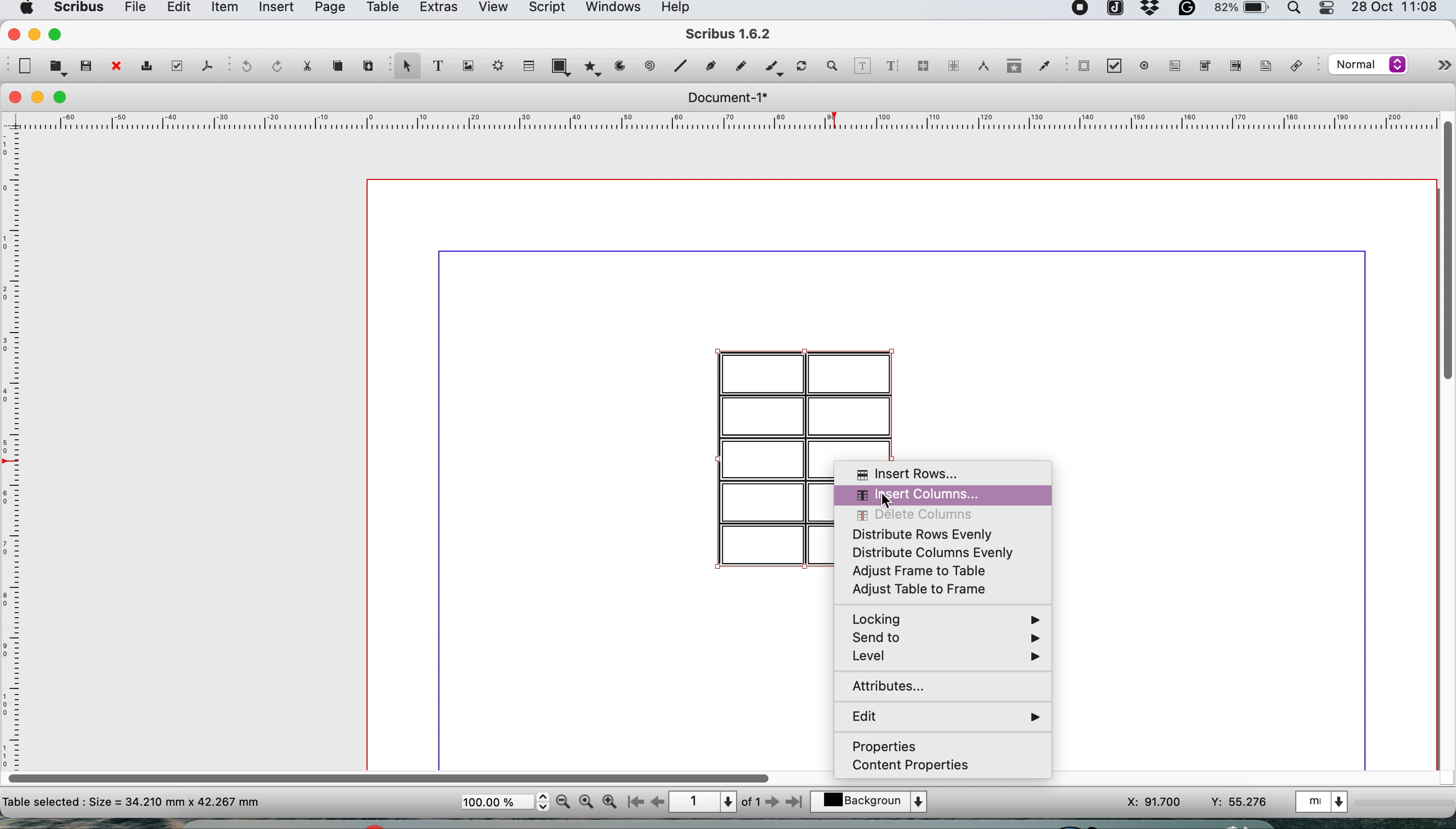 This screenshot has width=1456, height=829. Describe the element at coordinates (133, 10) in the screenshot. I see `file` at that location.